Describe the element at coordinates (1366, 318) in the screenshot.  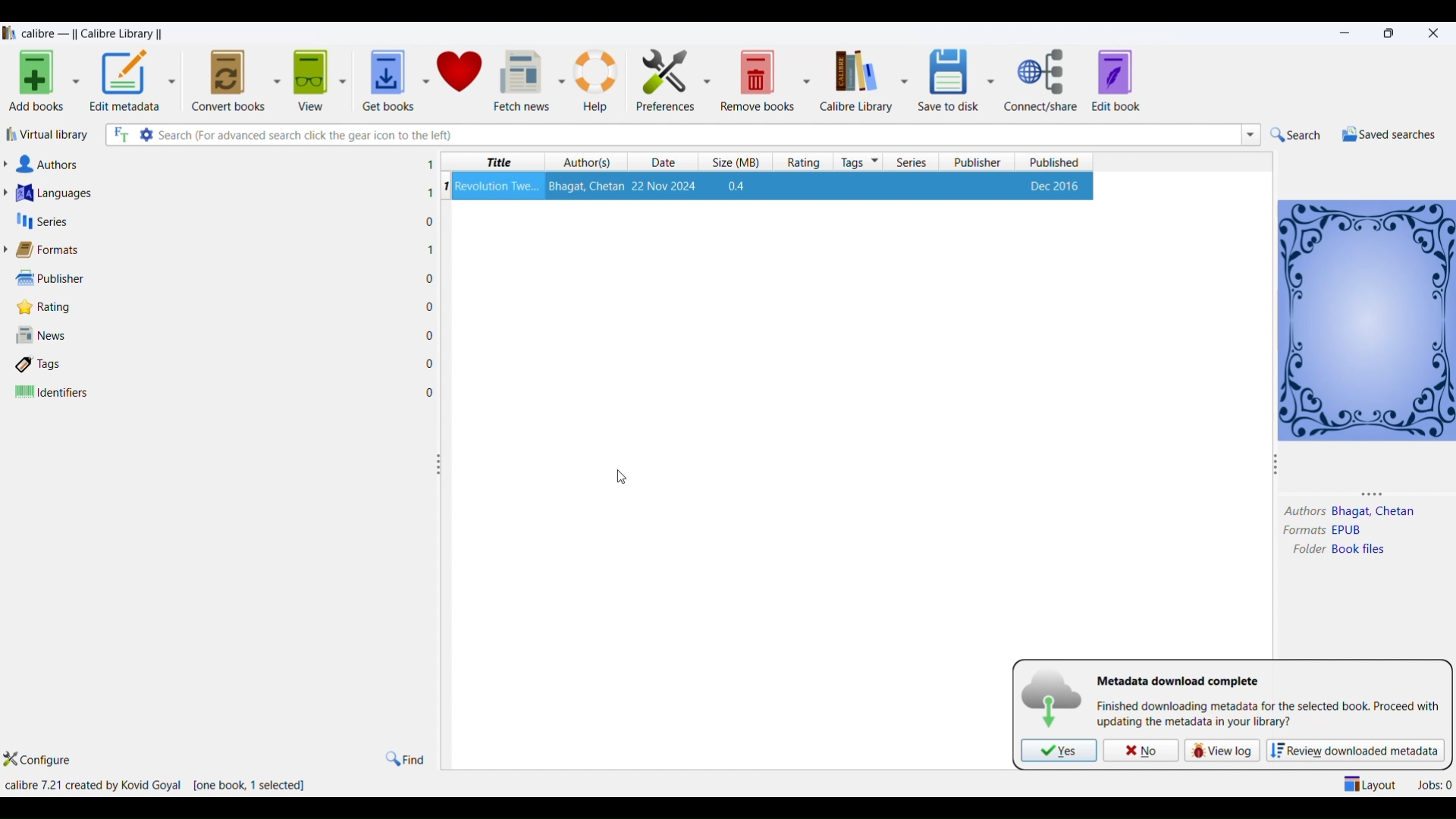
I see `book details window icon` at that location.